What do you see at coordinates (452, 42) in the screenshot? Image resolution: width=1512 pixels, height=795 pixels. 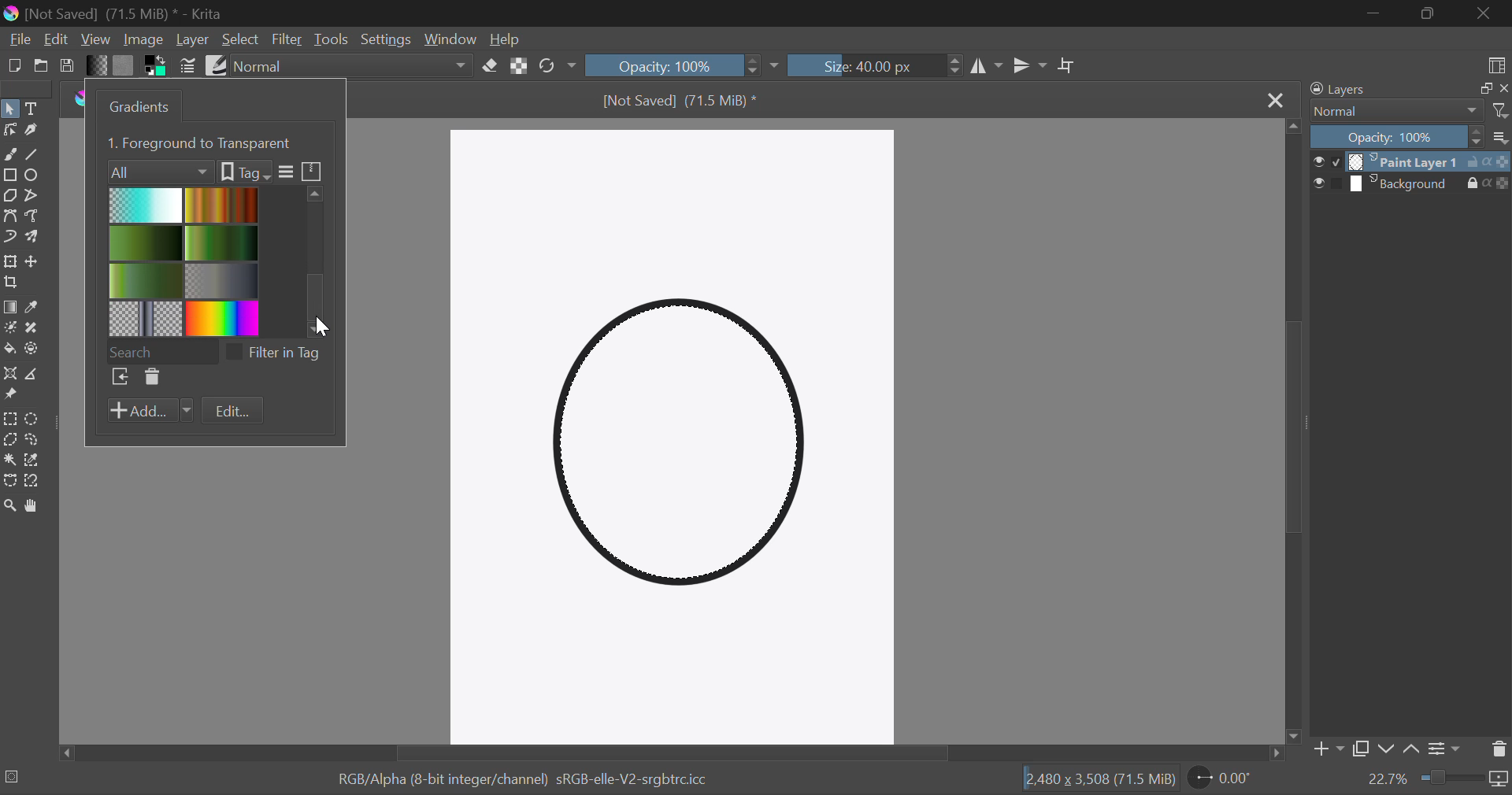 I see `Window` at bounding box center [452, 42].